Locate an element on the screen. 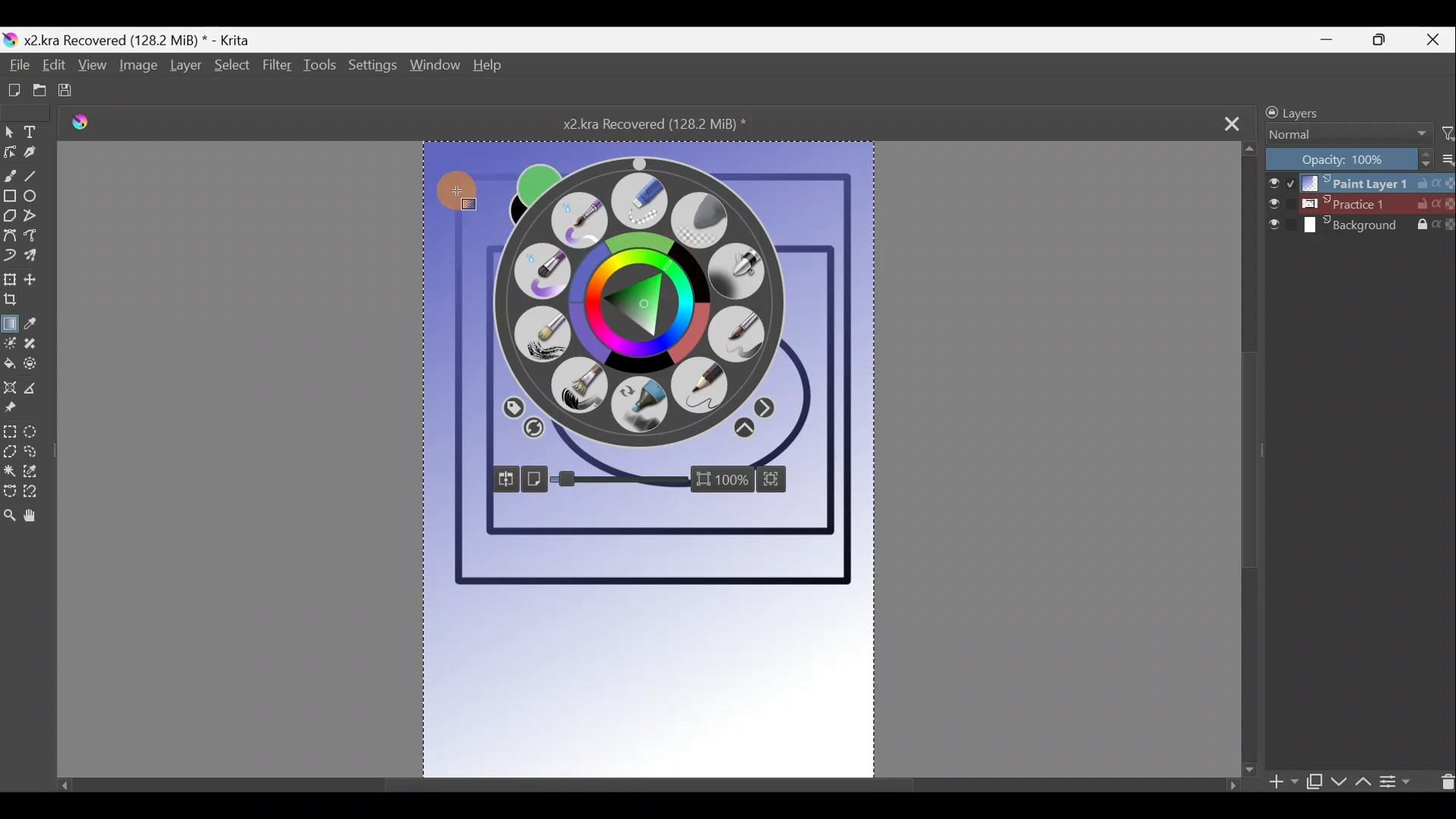 Image resolution: width=1456 pixels, height=819 pixels. Close is located at coordinates (1436, 39).